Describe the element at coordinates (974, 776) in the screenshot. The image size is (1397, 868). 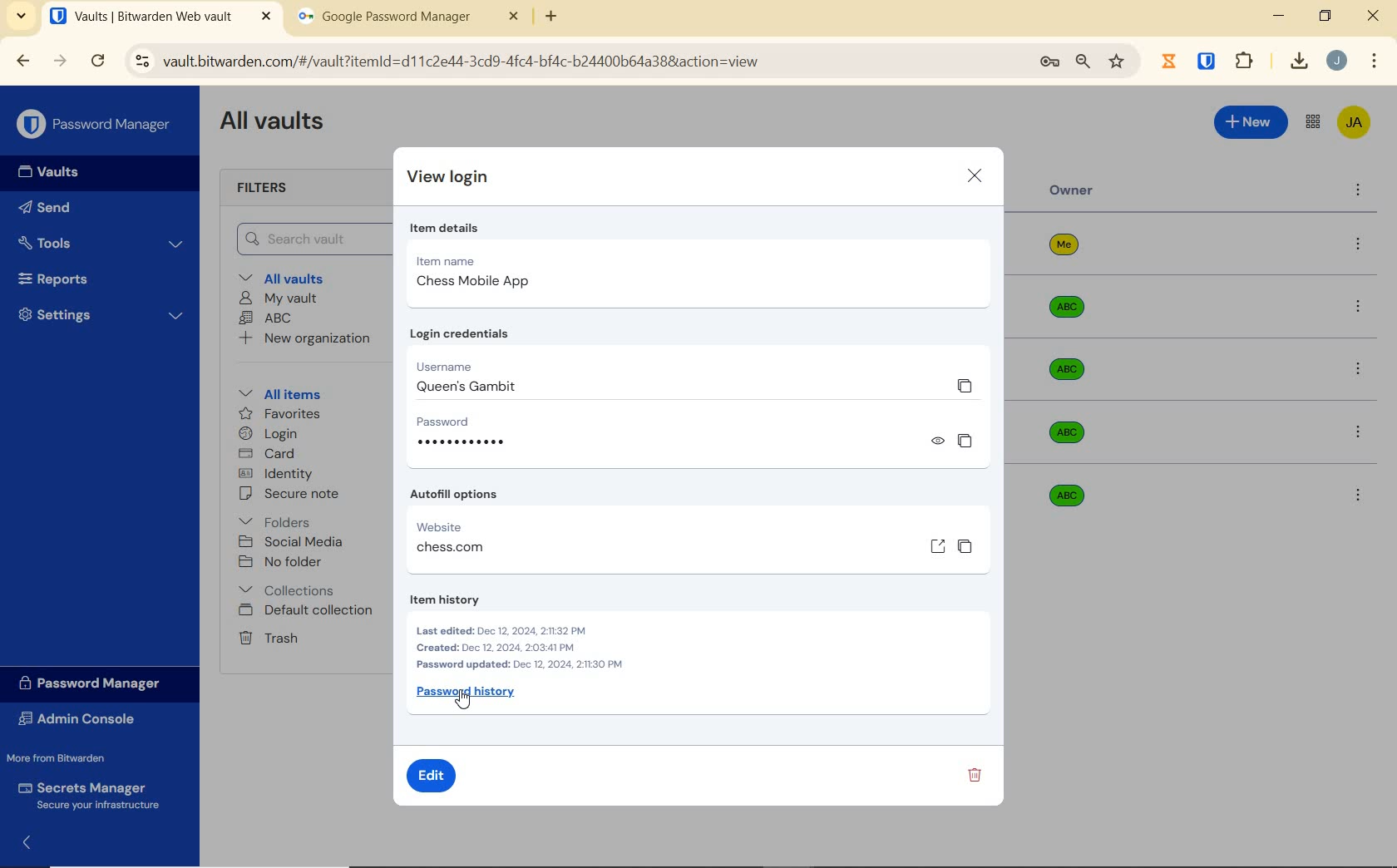
I see `delete` at that location.